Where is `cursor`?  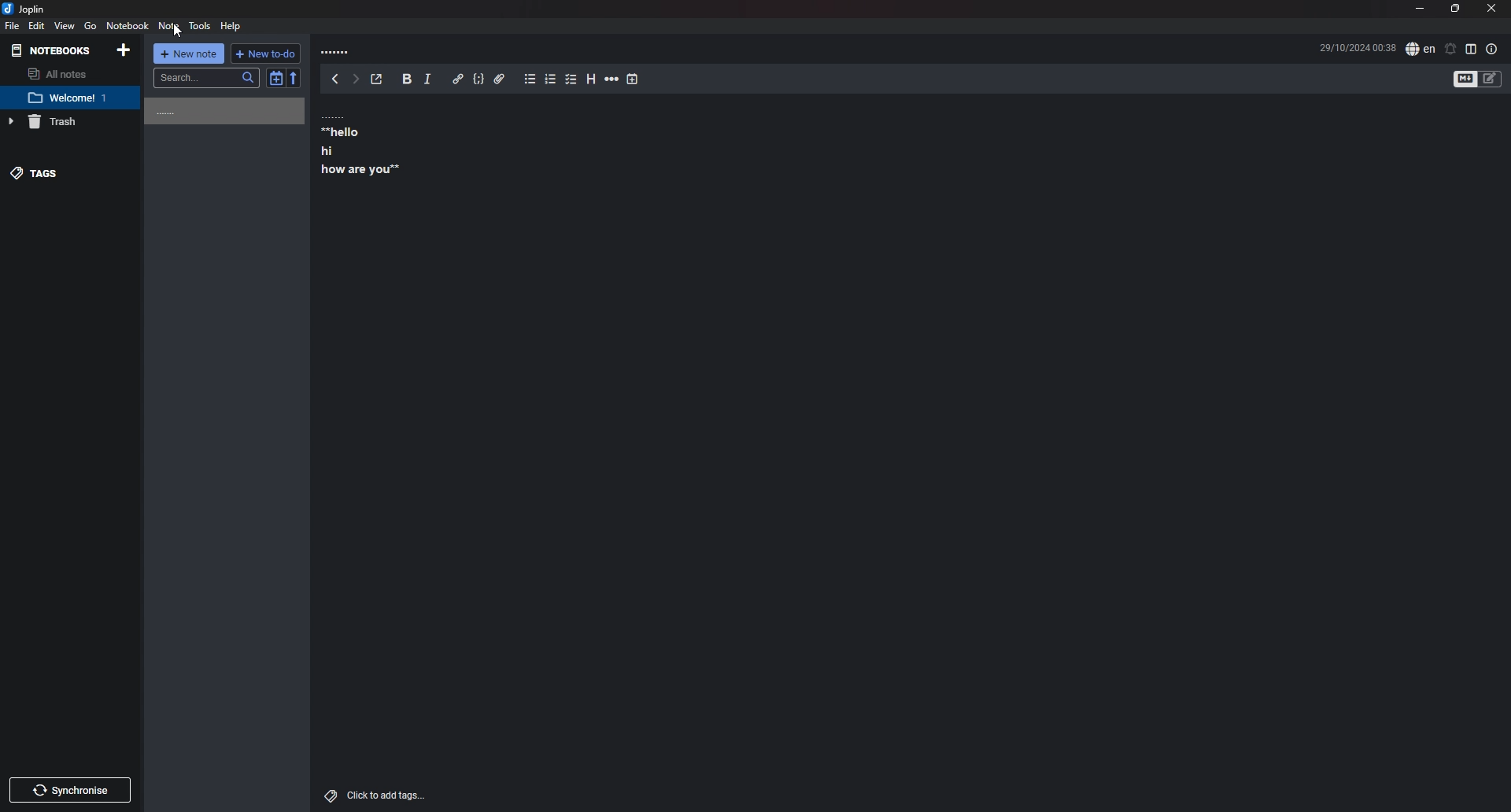 cursor is located at coordinates (181, 33).